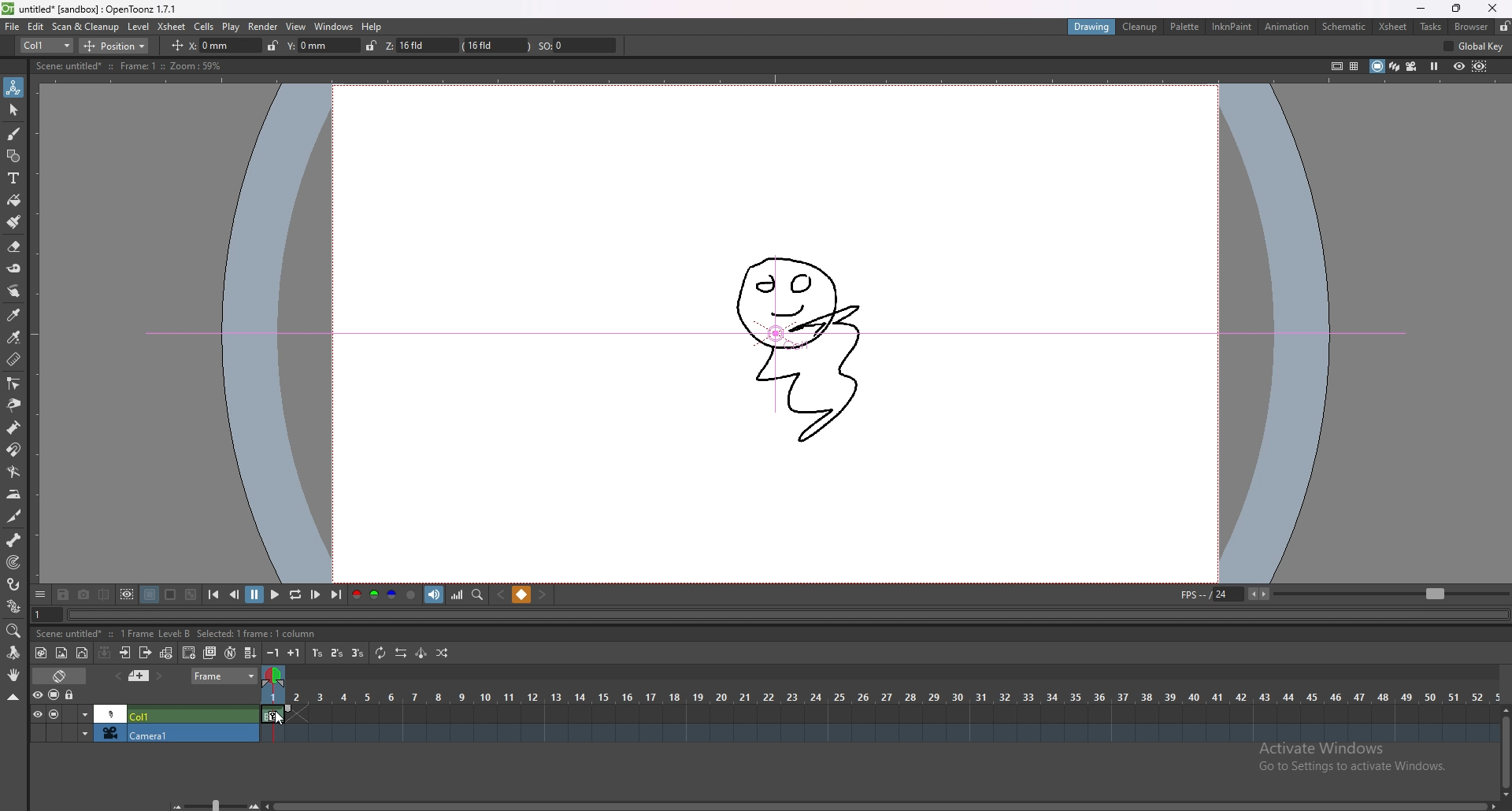 The height and width of the screenshot is (811, 1512). What do you see at coordinates (165, 653) in the screenshot?
I see `toggle edit in place` at bounding box center [165, 653].